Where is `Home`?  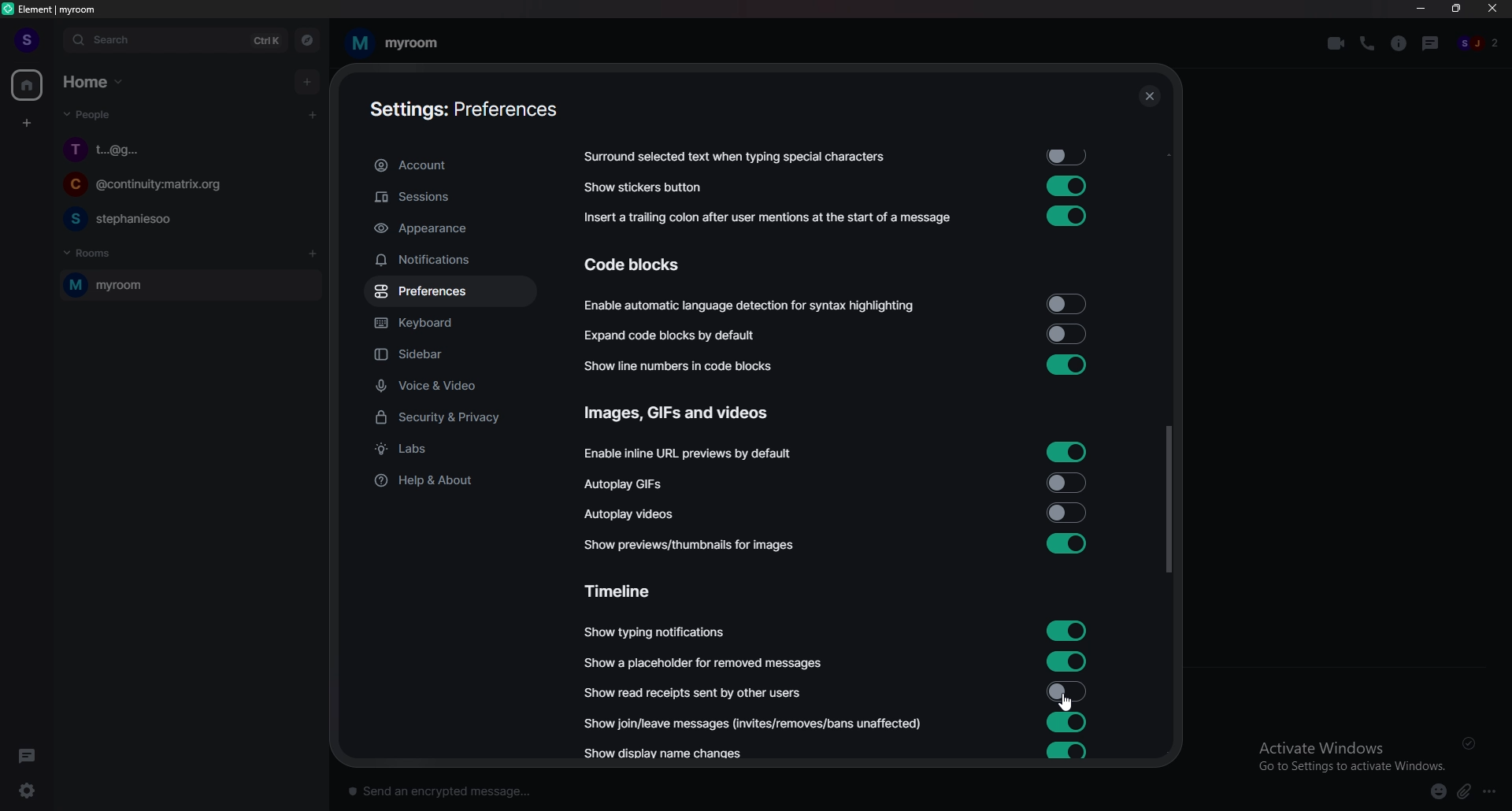
Home is located at coordinates (96, 80).